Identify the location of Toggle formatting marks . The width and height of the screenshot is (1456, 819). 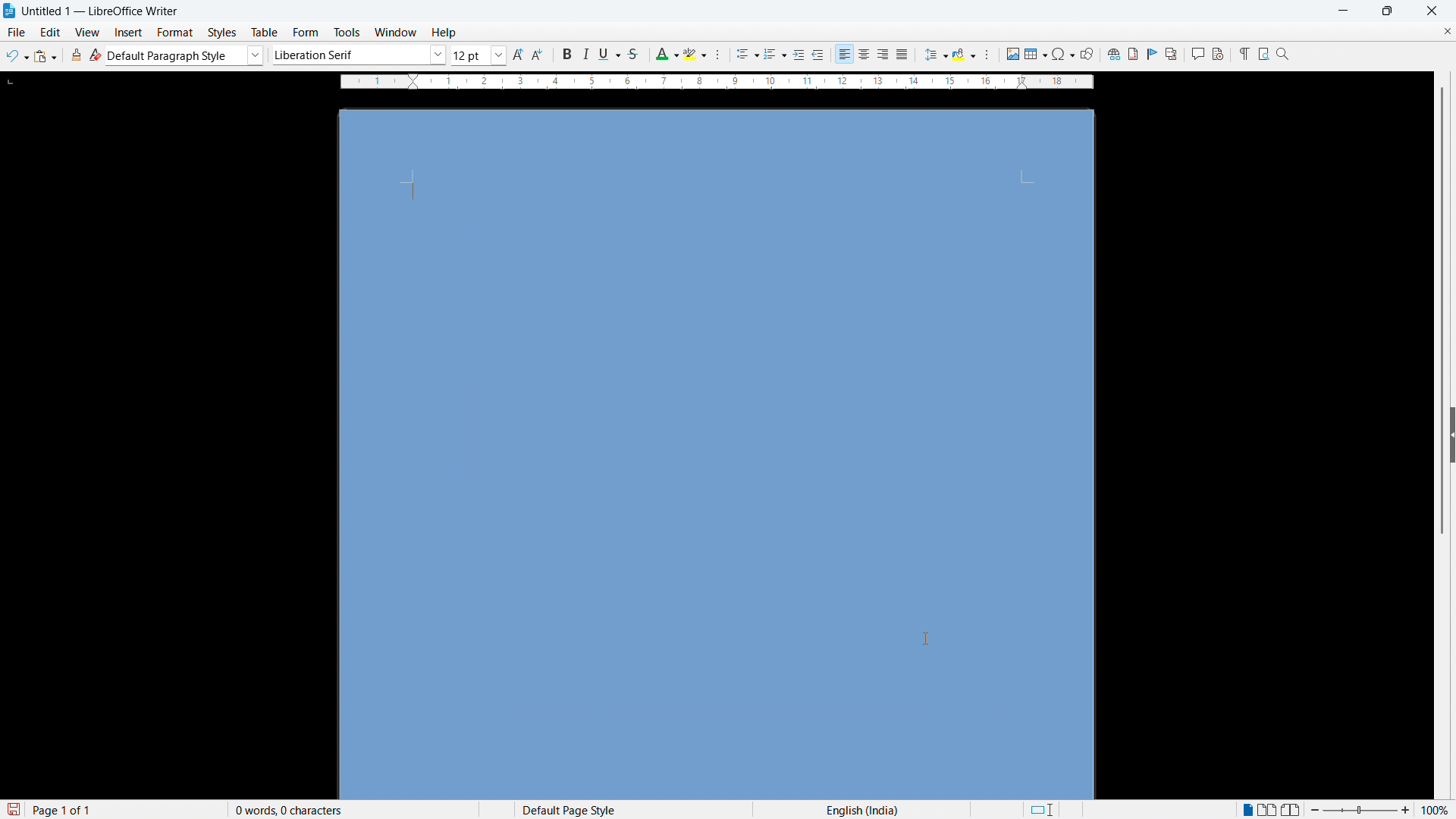
(1242, 53).